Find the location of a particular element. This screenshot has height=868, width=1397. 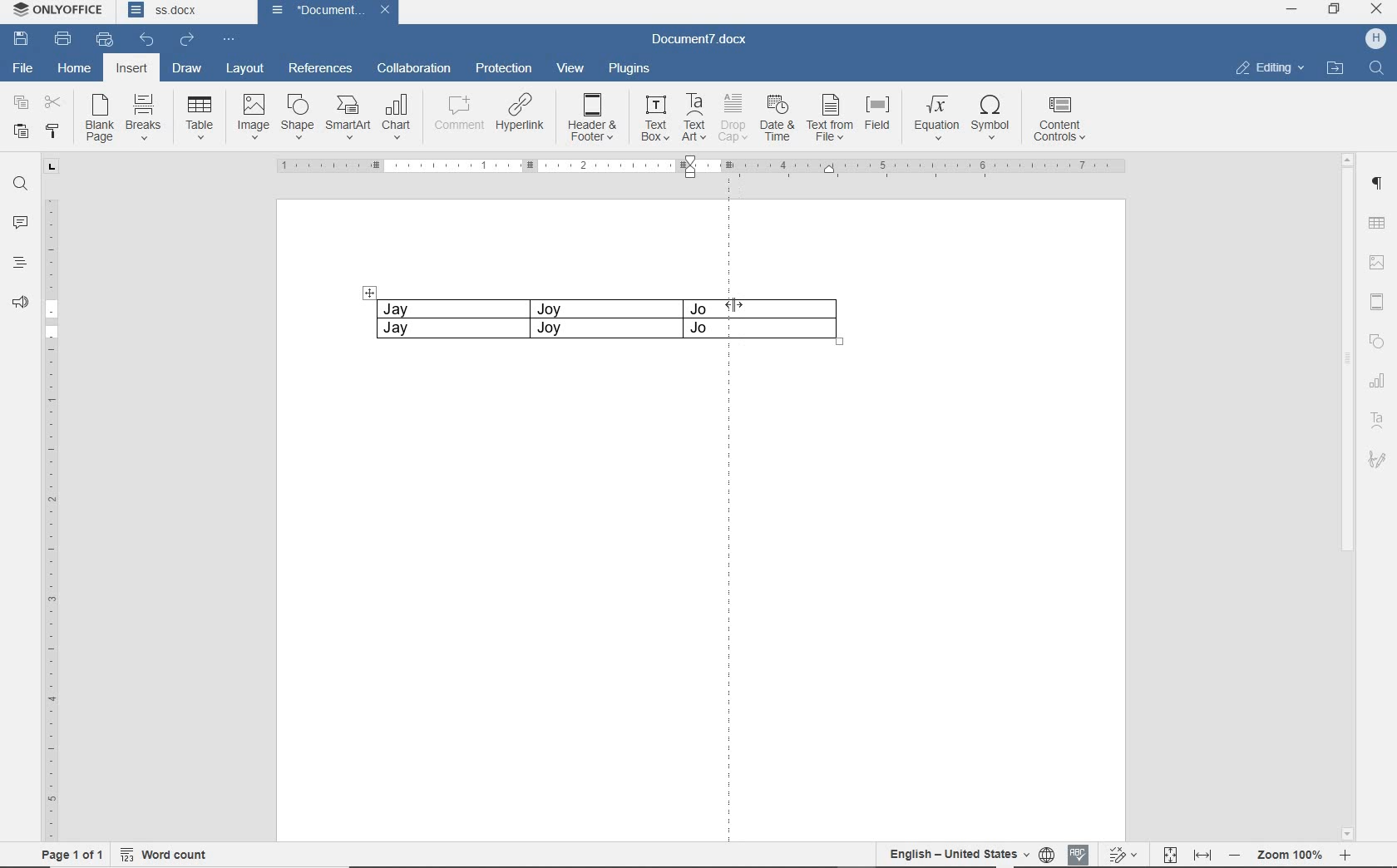

FIT TO PAGE is located at coordinates (1171, 852).